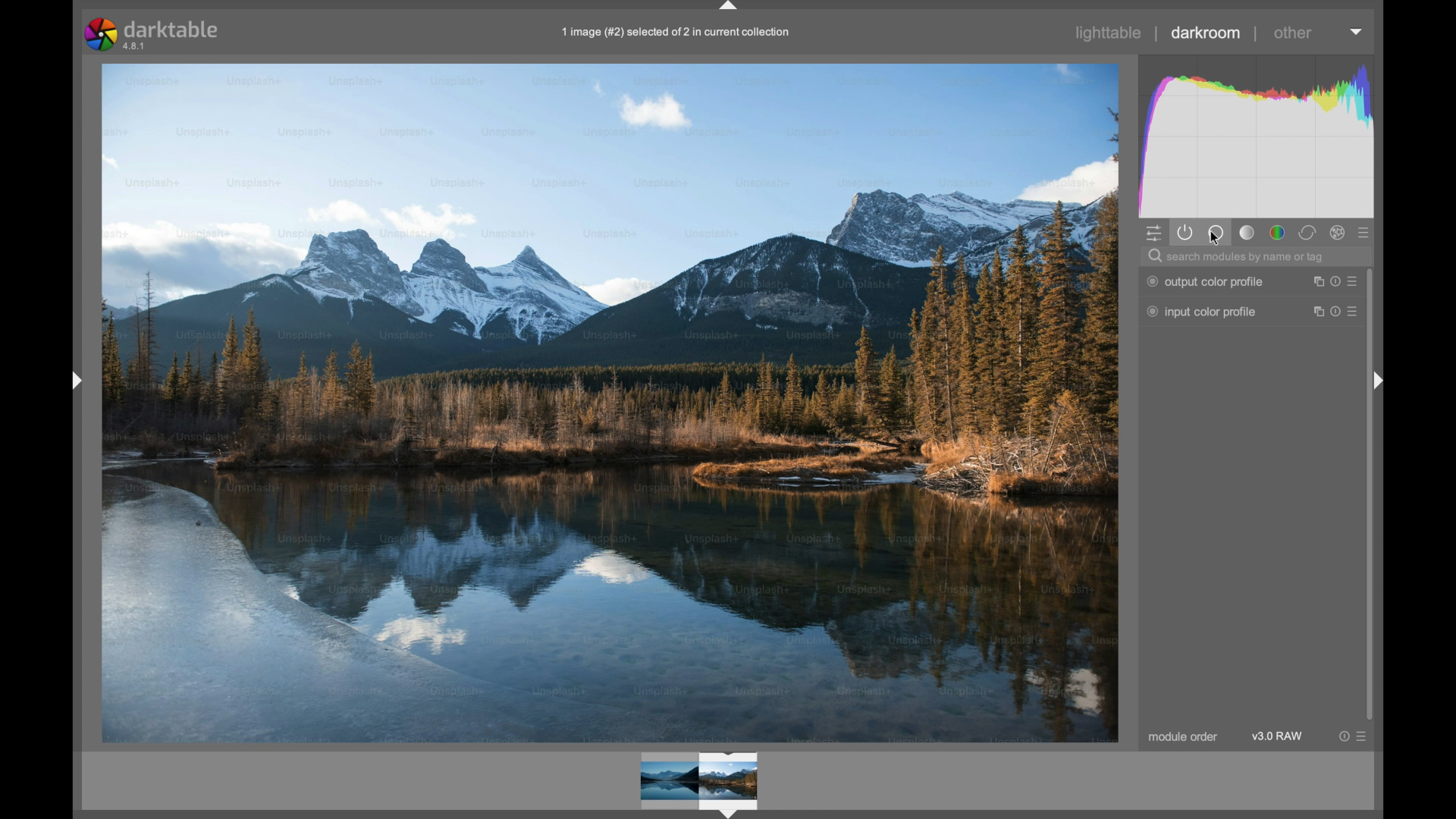 This screenshot has height=819, width=1456. What do you see at coordinates (1214, 241) in the screenshot?
I see `Cursor` at bounding box center [1214, 241].